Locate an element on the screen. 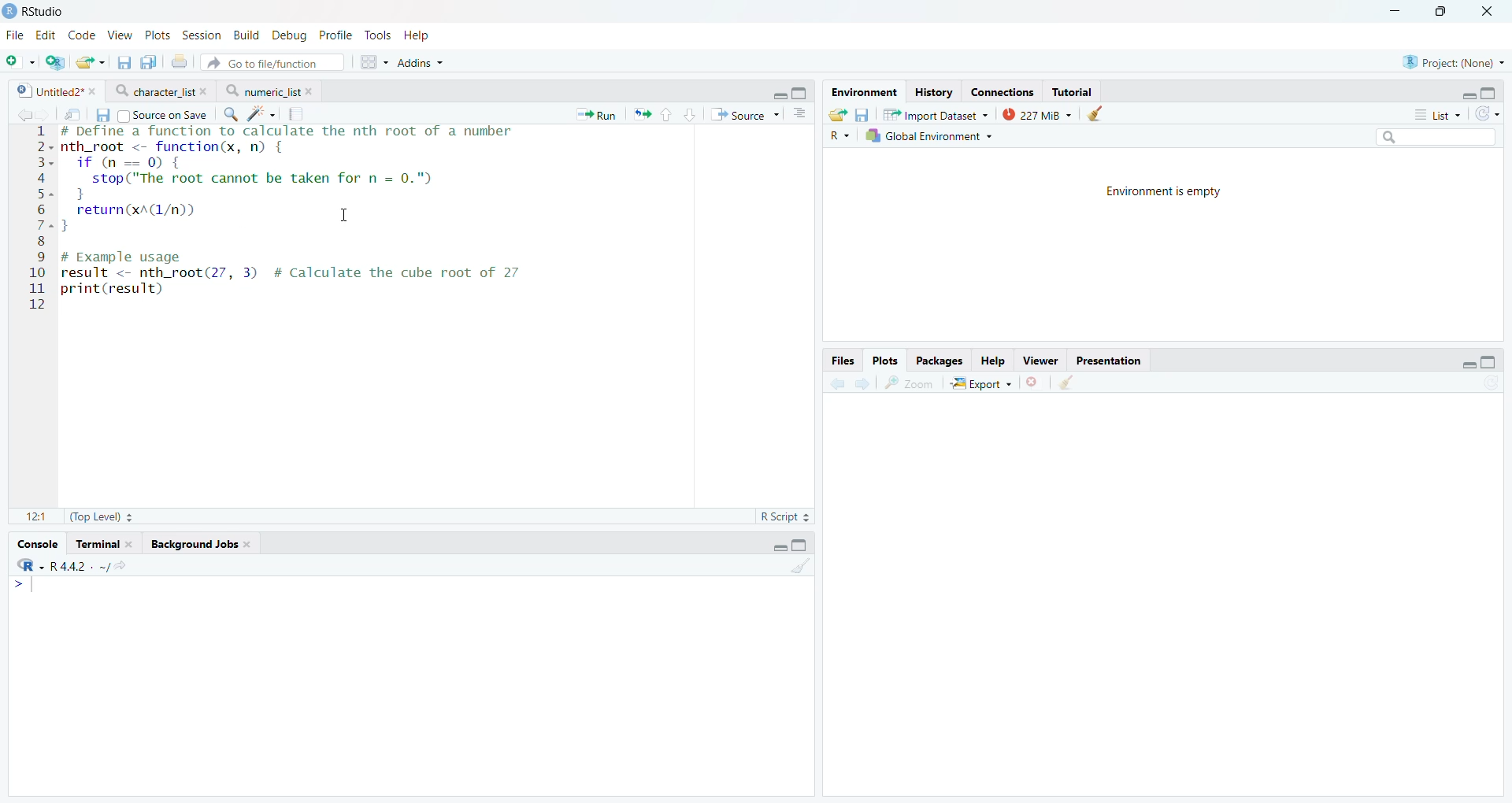 Image resolution: width=1512 pixels, height=803 pixels. Go to file/function is located at coordinates (272, 62).